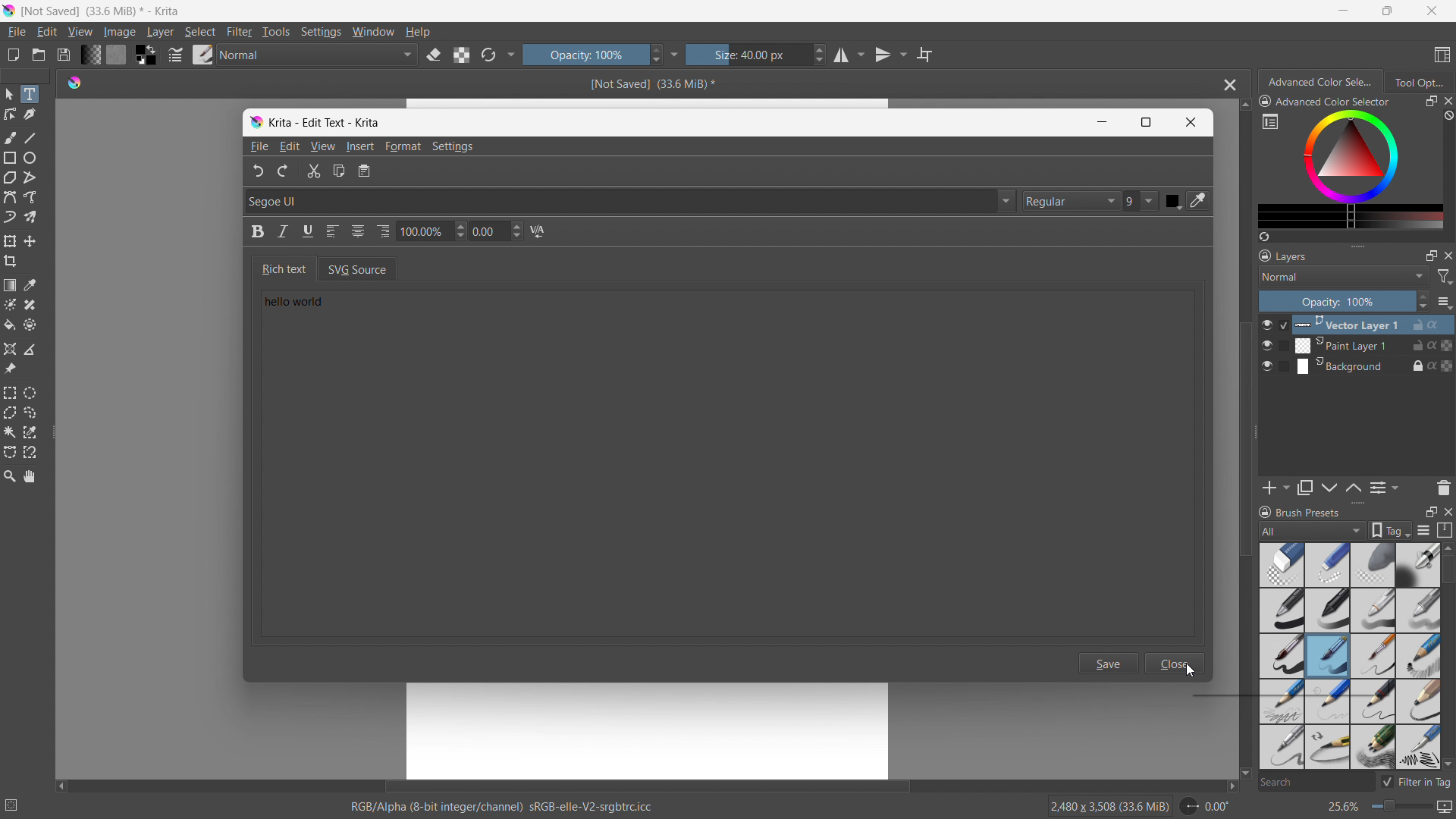  Describe the element at coordinates (1431, 255) in the screenshot. I see `maximize` at that location.